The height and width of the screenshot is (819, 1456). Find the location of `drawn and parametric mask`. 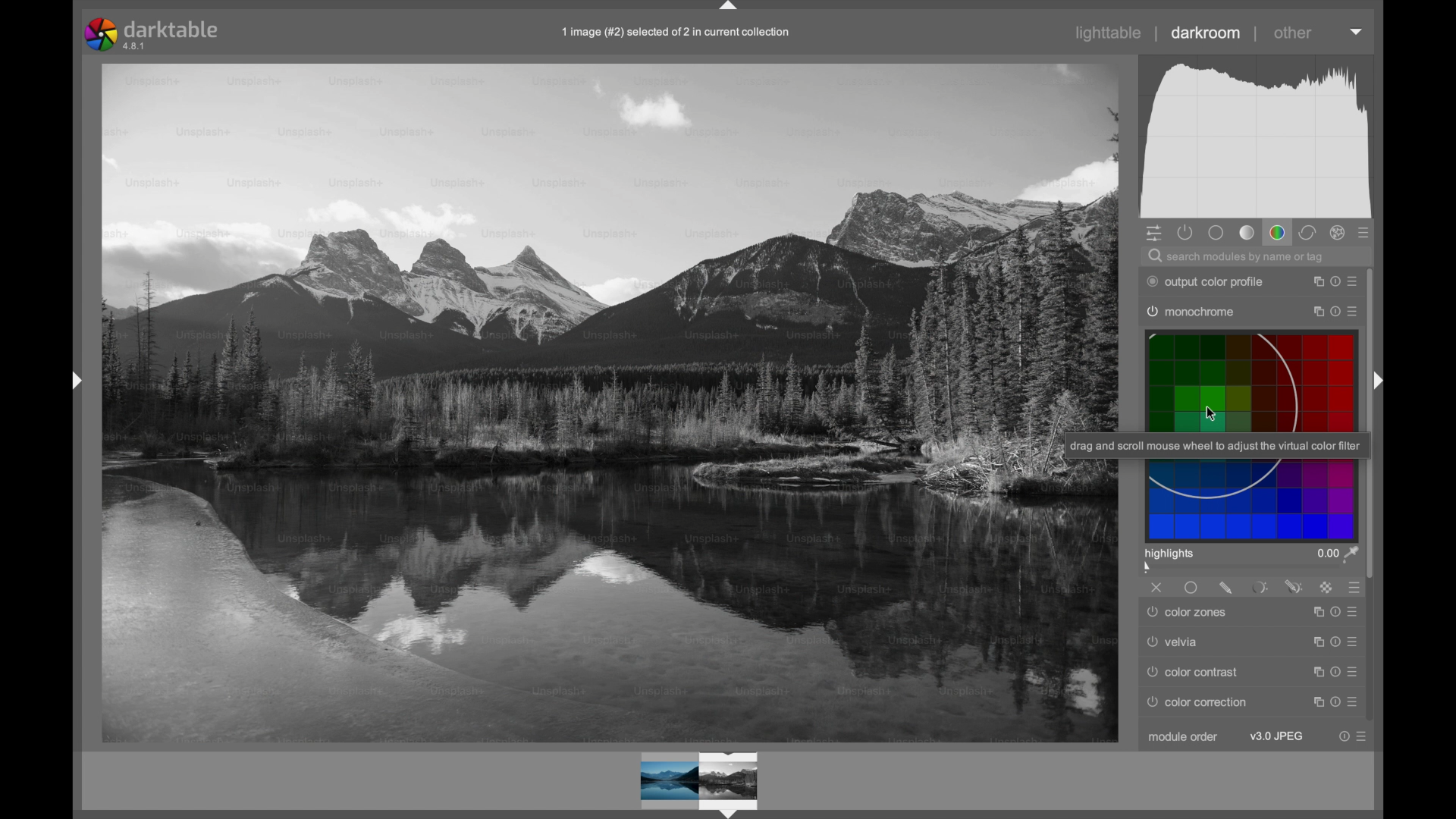

drawn and parametric mask is located at coordinates (1294, 586).